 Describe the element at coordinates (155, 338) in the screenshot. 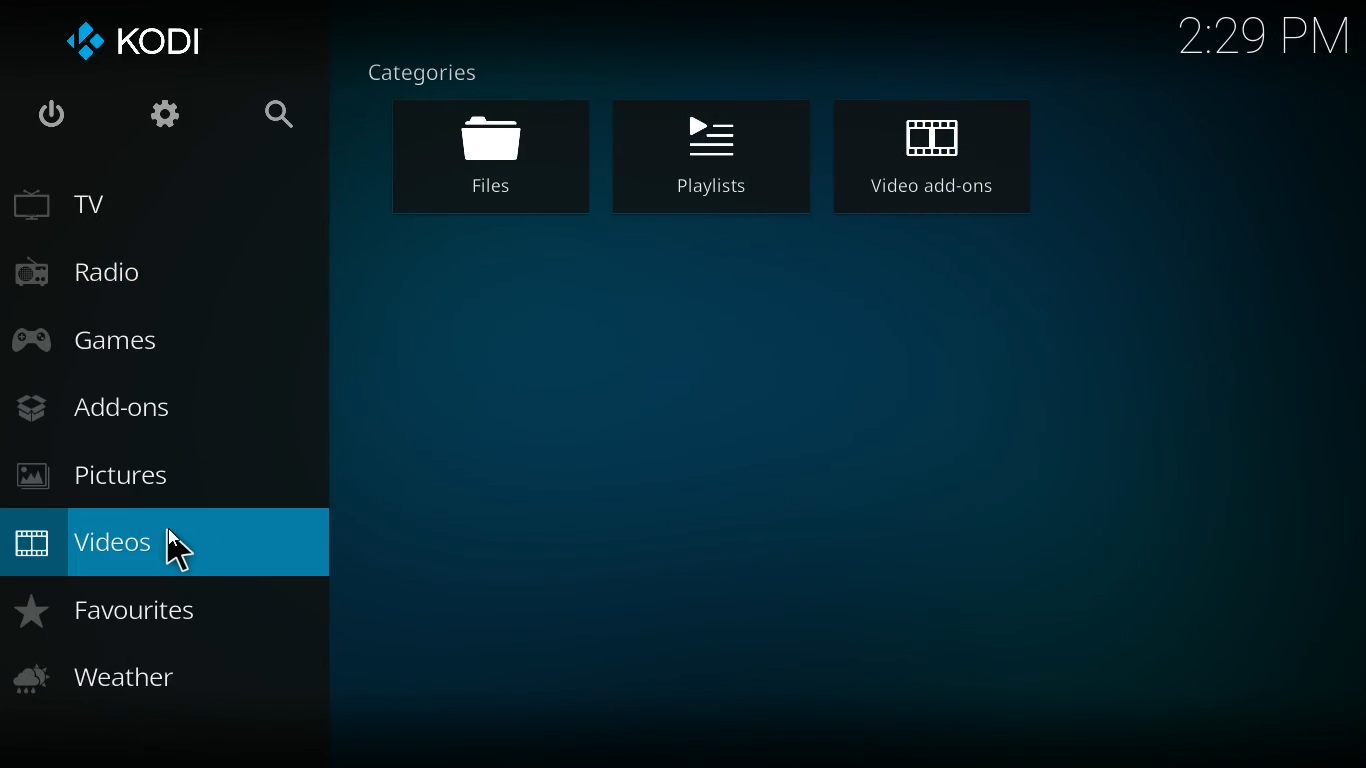

I see `games` at that location.